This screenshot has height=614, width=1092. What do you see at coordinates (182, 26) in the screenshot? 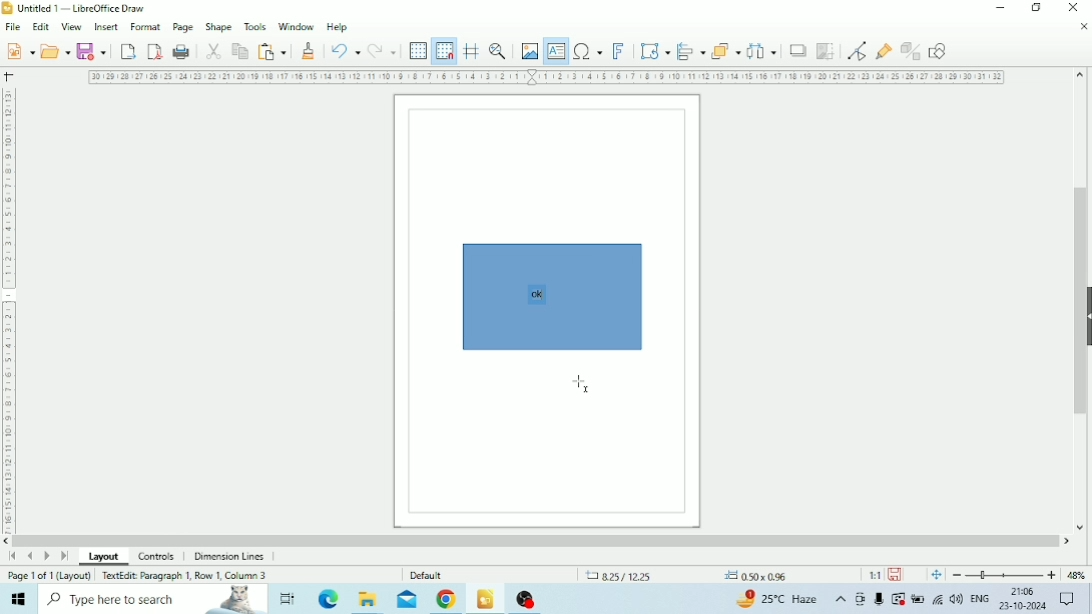
I see `Page` at bounding box center [182, 26].